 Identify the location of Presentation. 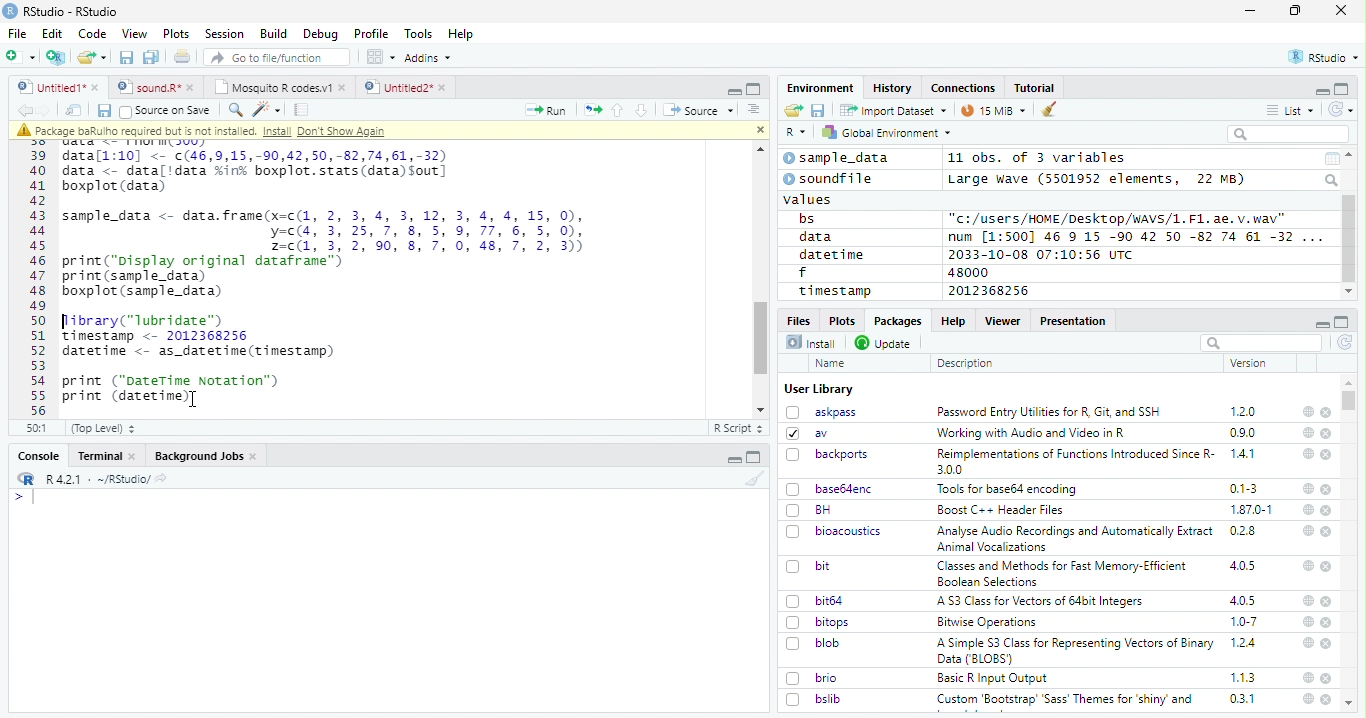
(1074, 321).